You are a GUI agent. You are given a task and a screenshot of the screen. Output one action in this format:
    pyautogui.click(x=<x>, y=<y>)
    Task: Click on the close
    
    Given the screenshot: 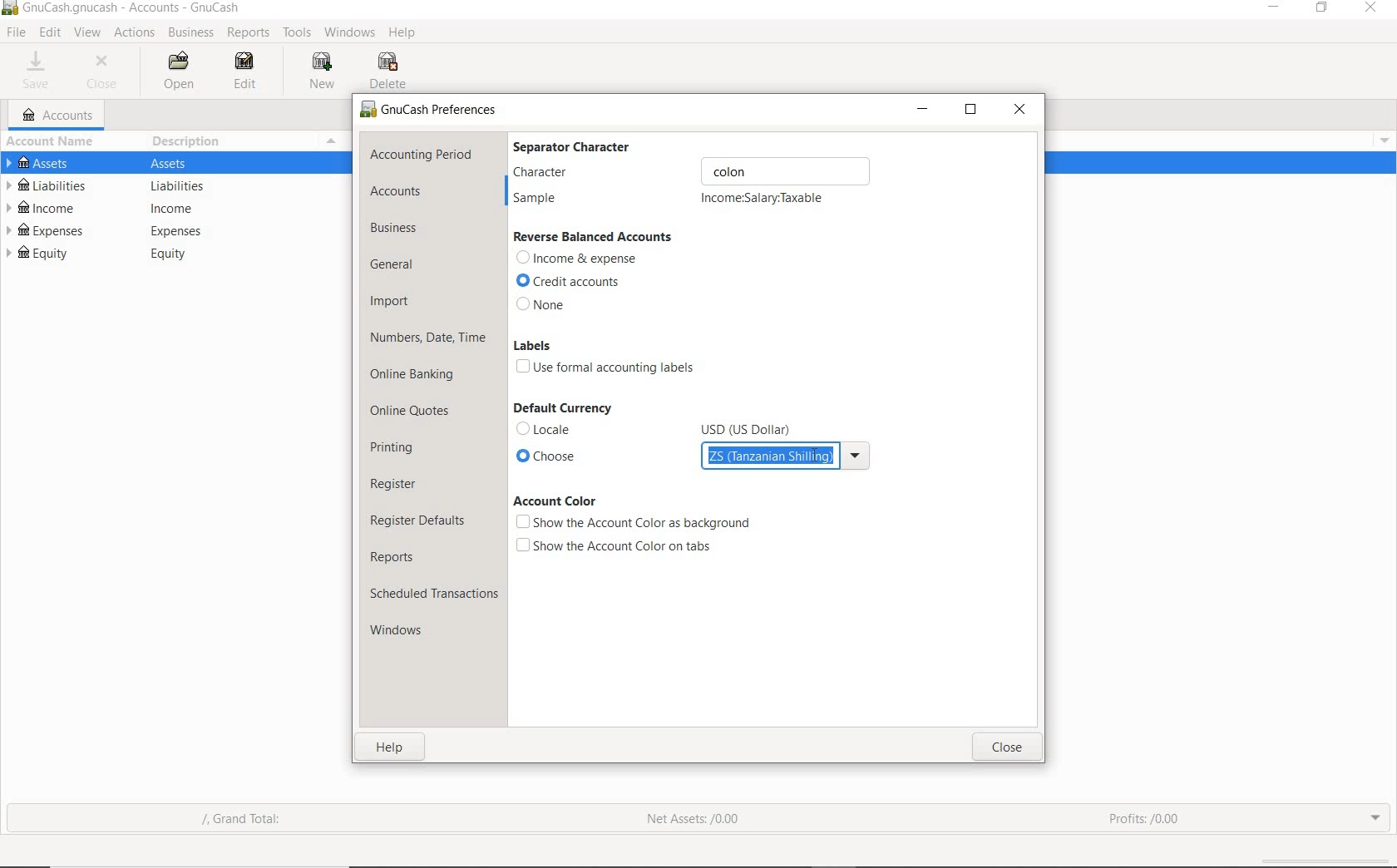 What is the action you would take?
    pyautogui.click(x=1007, y=750)
    